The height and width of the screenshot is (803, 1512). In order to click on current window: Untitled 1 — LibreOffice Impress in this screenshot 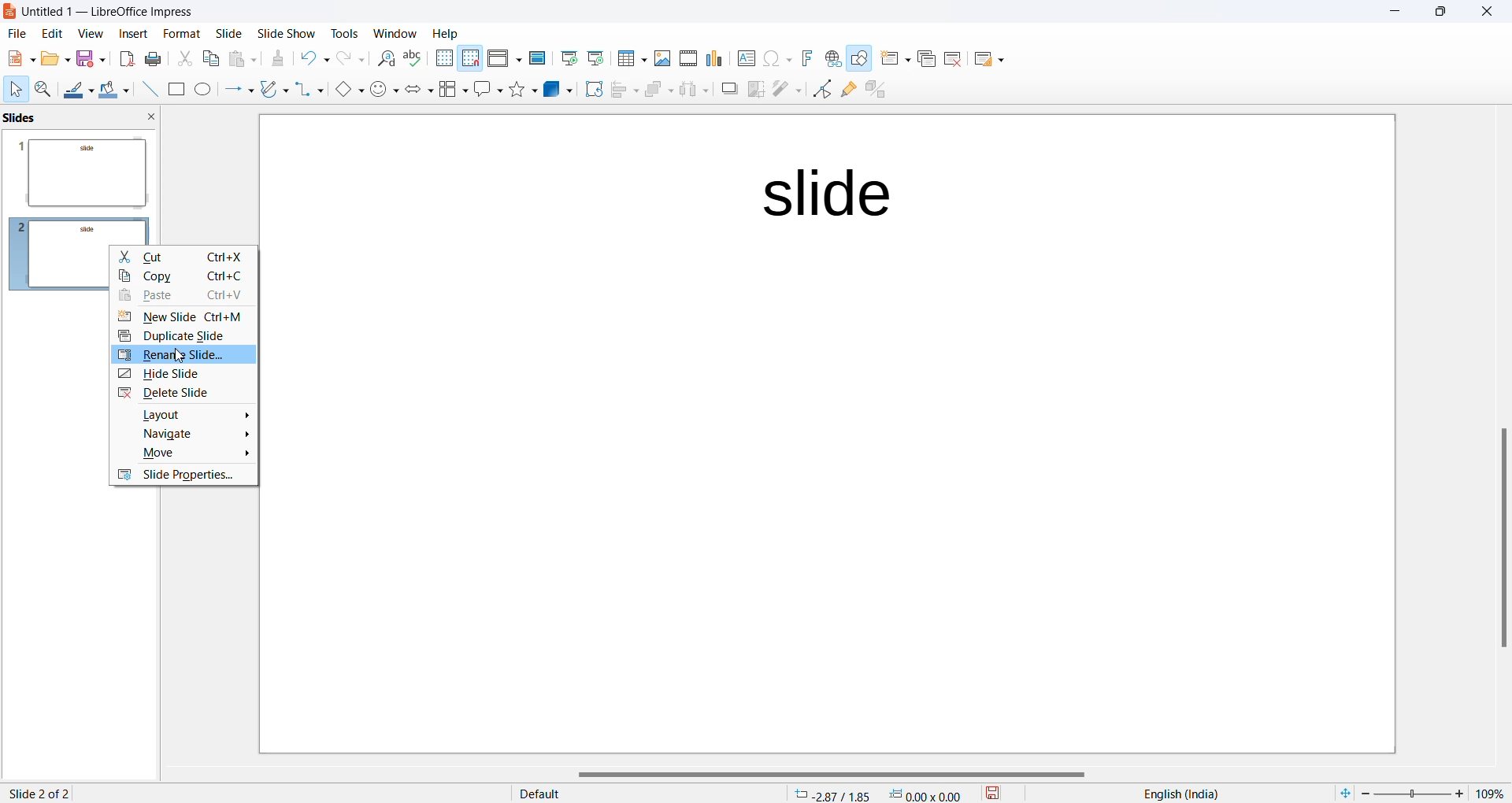, I will do `click(105, 13)`.